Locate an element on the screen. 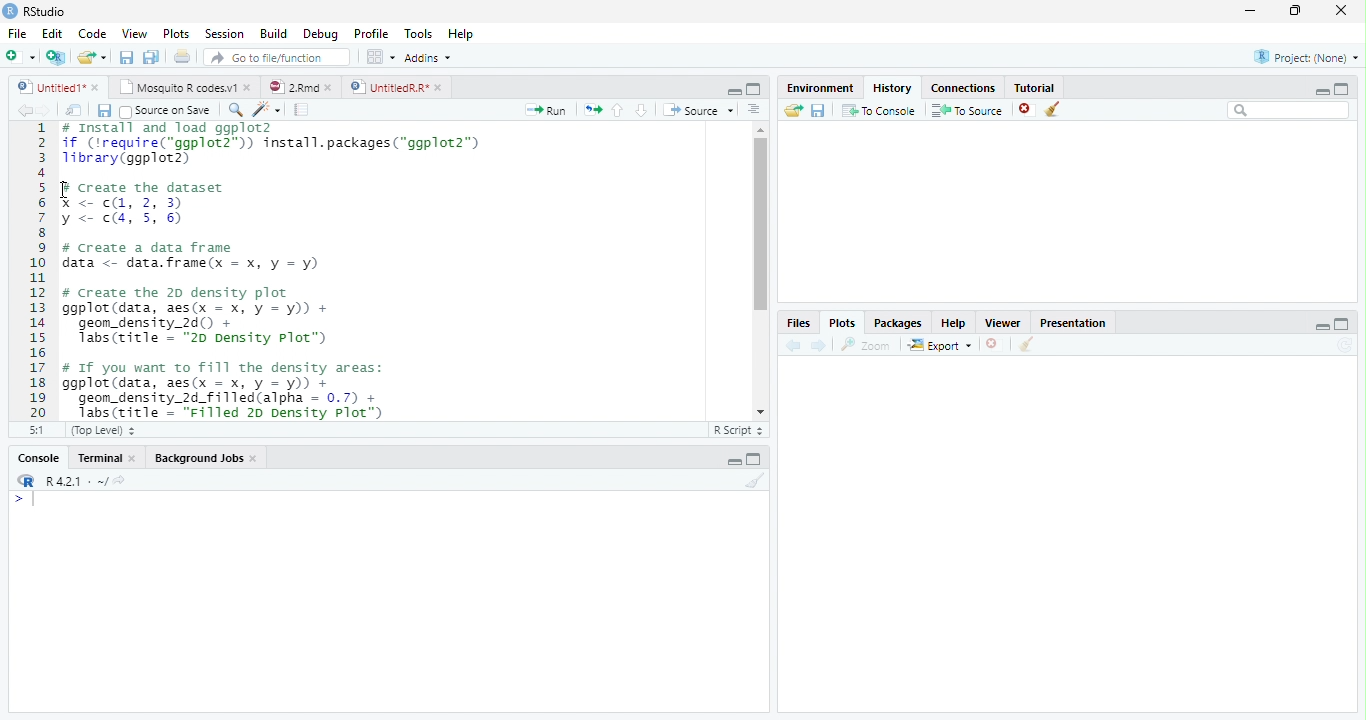 The width and height of the screenshot is (1366, 720). re-run the previous code is located at coordinates (592, 109).